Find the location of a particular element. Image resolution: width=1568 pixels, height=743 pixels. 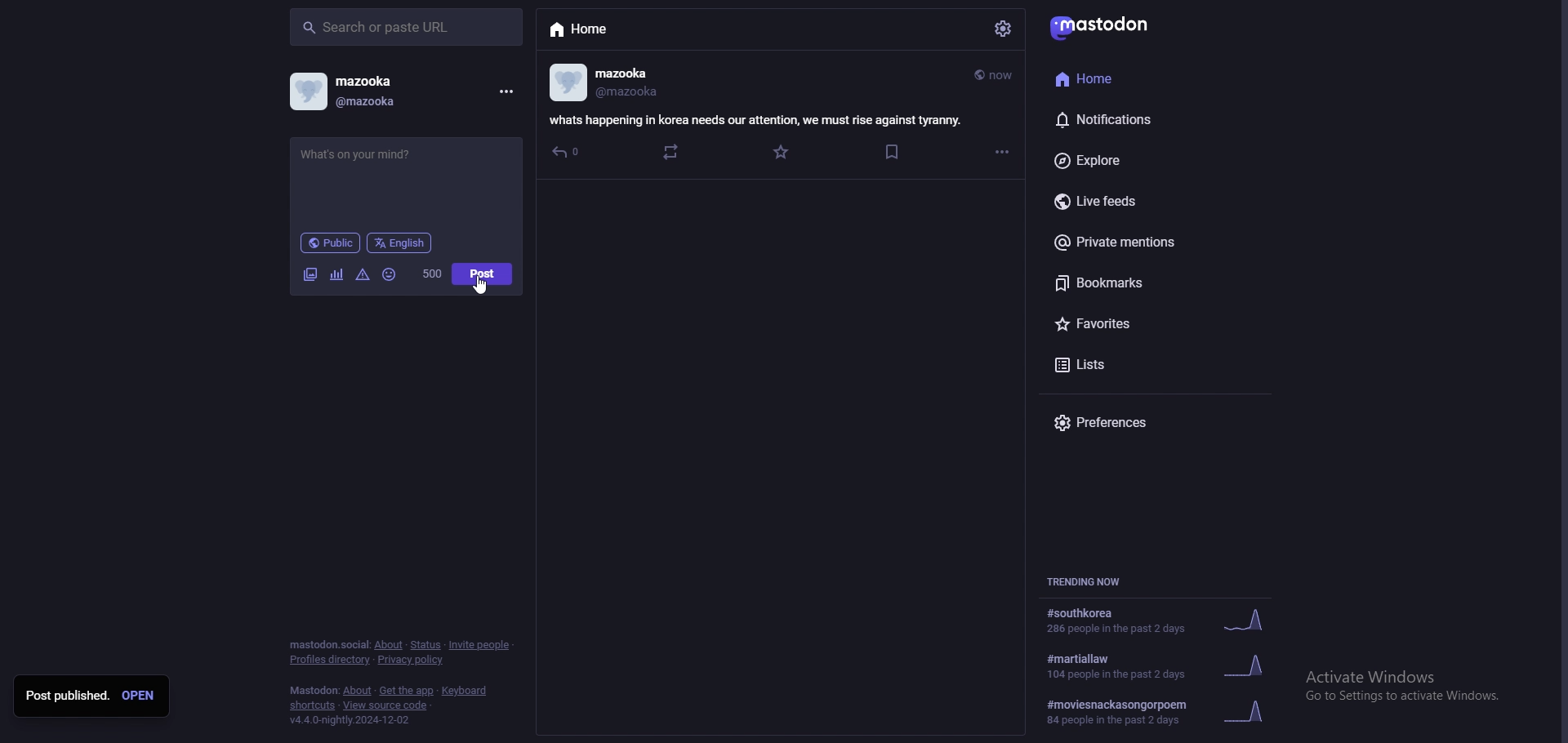

explore is located at coordinates (1149, 160).